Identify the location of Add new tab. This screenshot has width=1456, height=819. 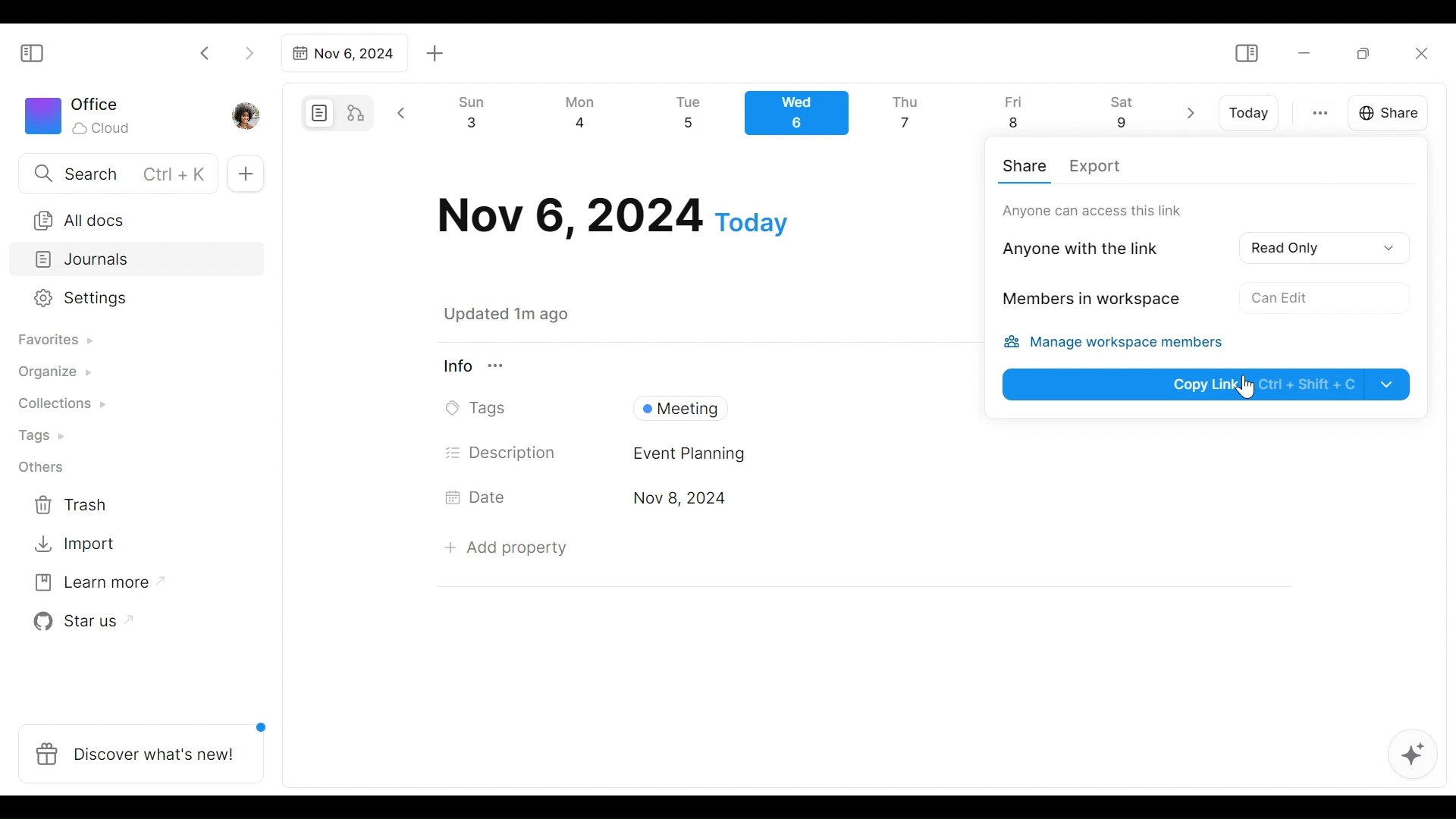
(435, 54).